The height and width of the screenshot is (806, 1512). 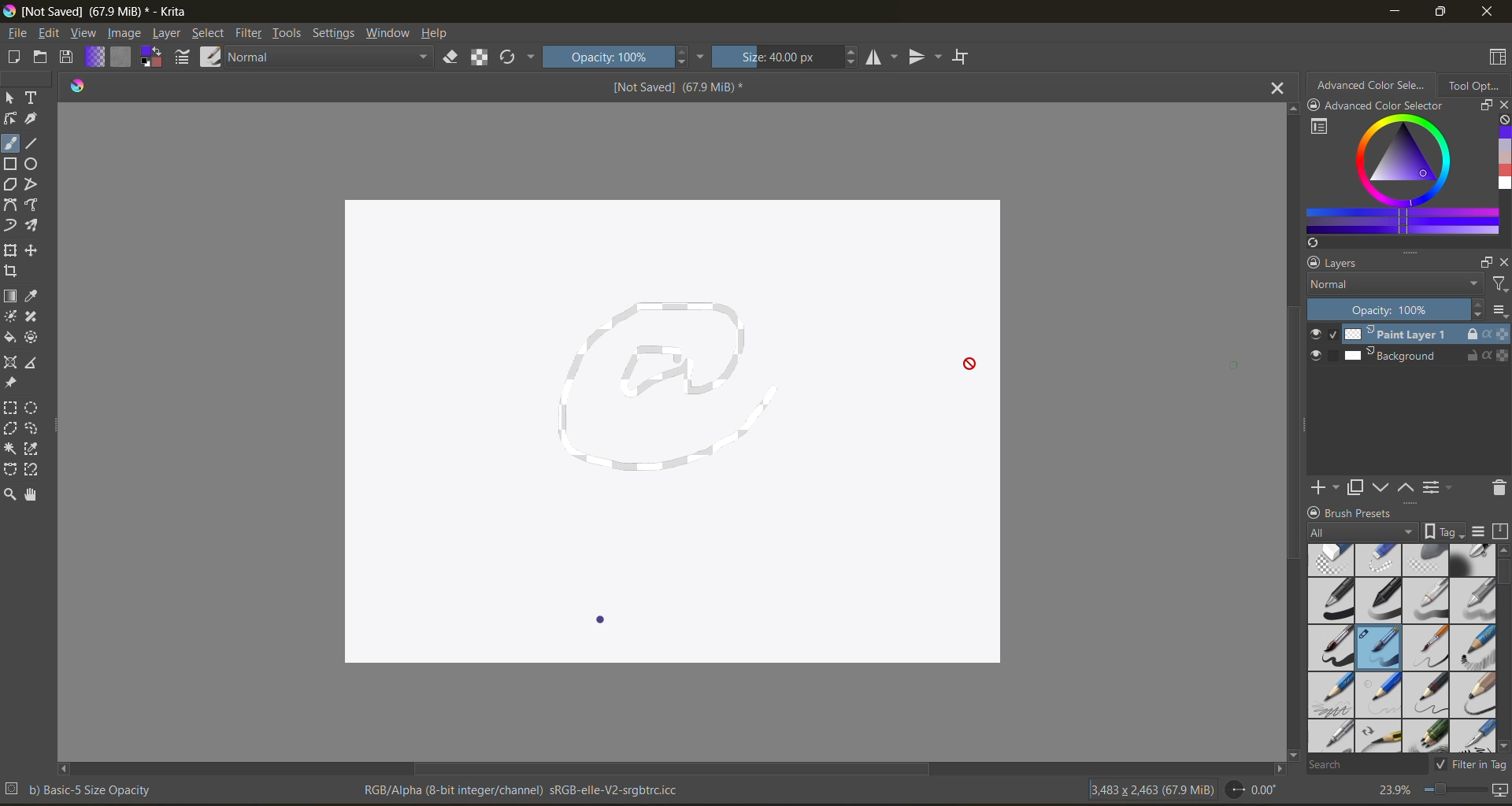 What do you see at coordinates (1293, 109) in the screenshot?
I see `scroll up` at bounding box center [1293, 109].